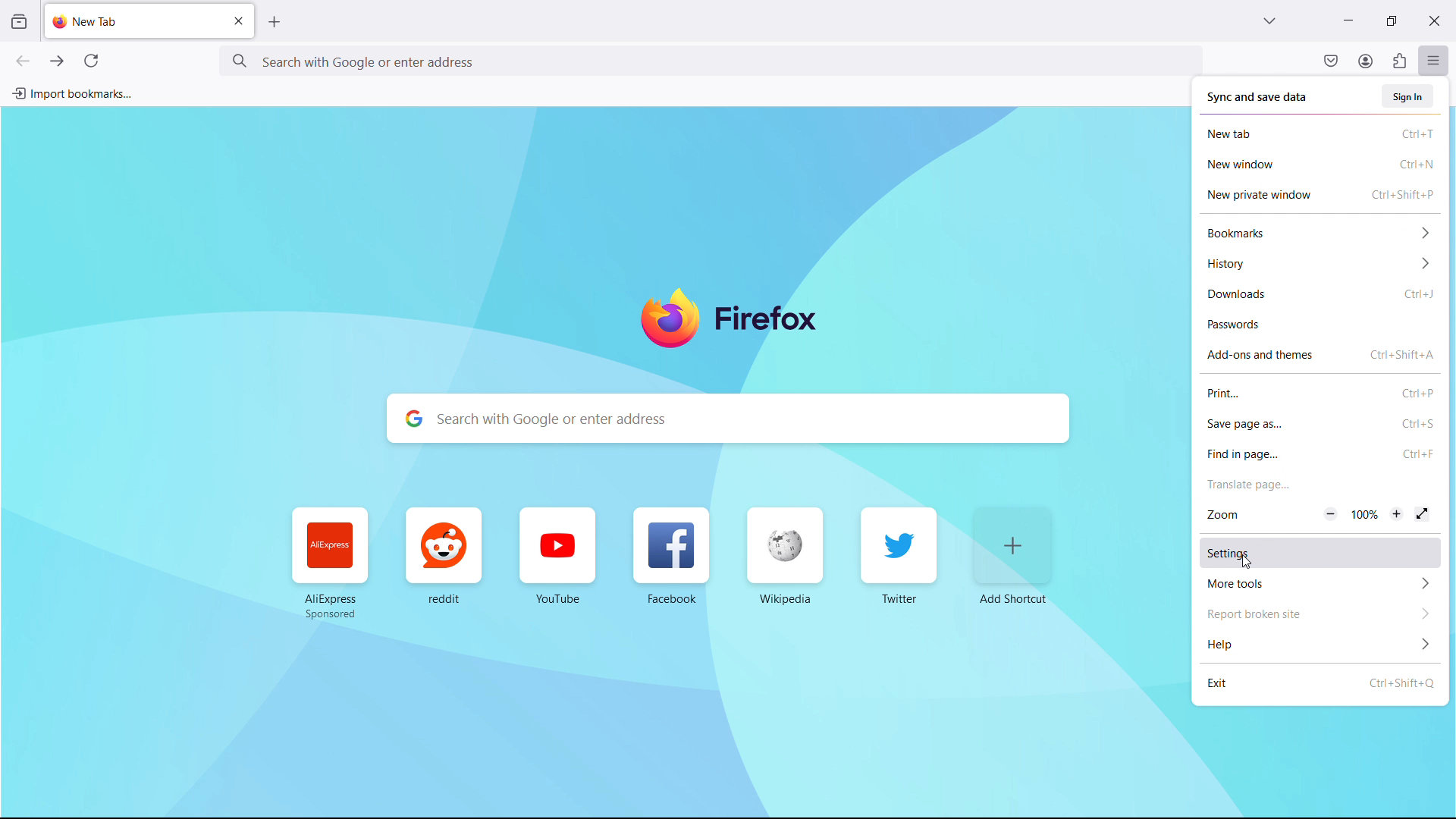 The width and height of the screenshot is (1456, 819). I want to click on search with google or enter address, so click(730, 419).